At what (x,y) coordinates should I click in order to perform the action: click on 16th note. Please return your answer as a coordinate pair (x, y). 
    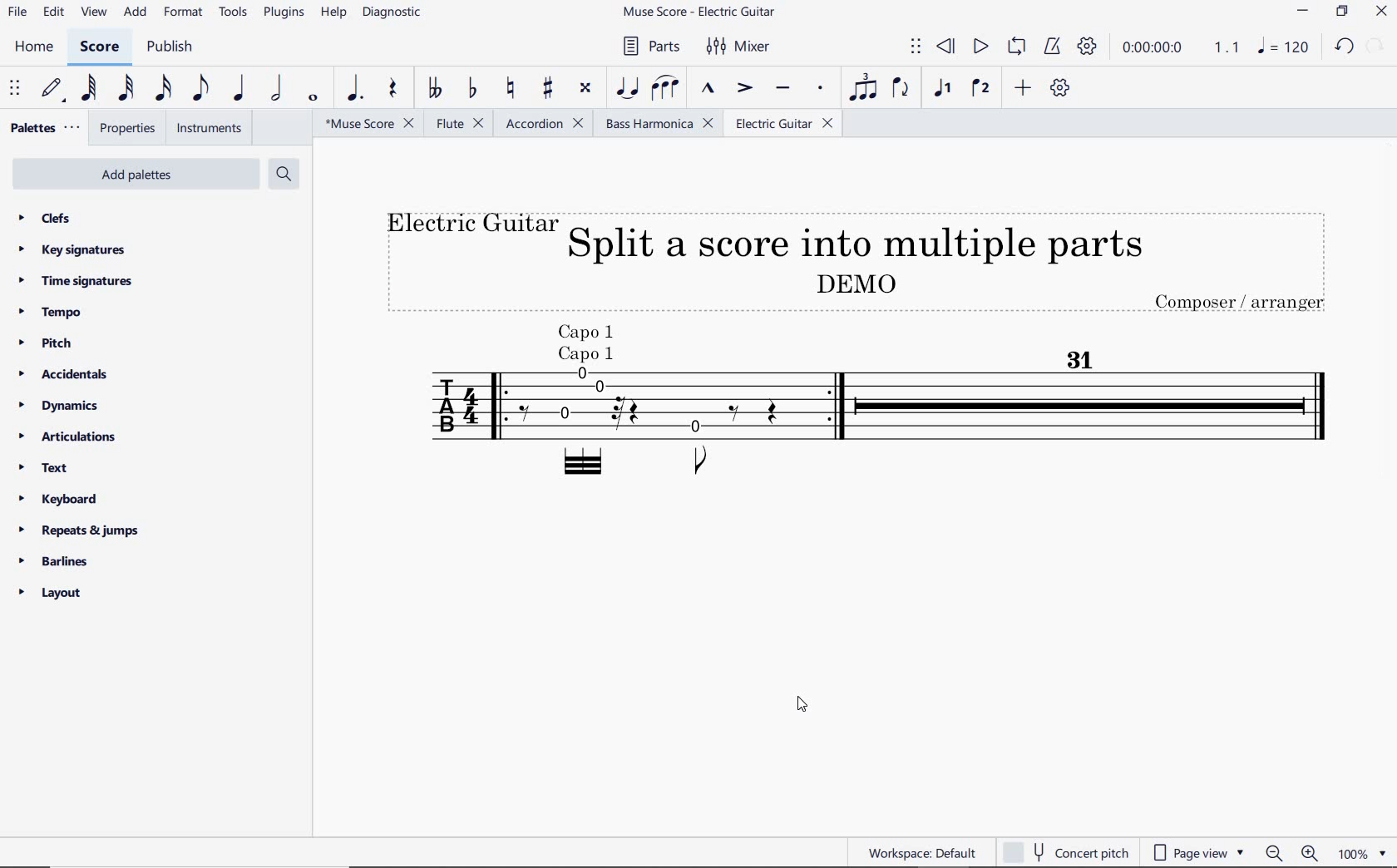
    Looking at the image, I should click on (163, 86).